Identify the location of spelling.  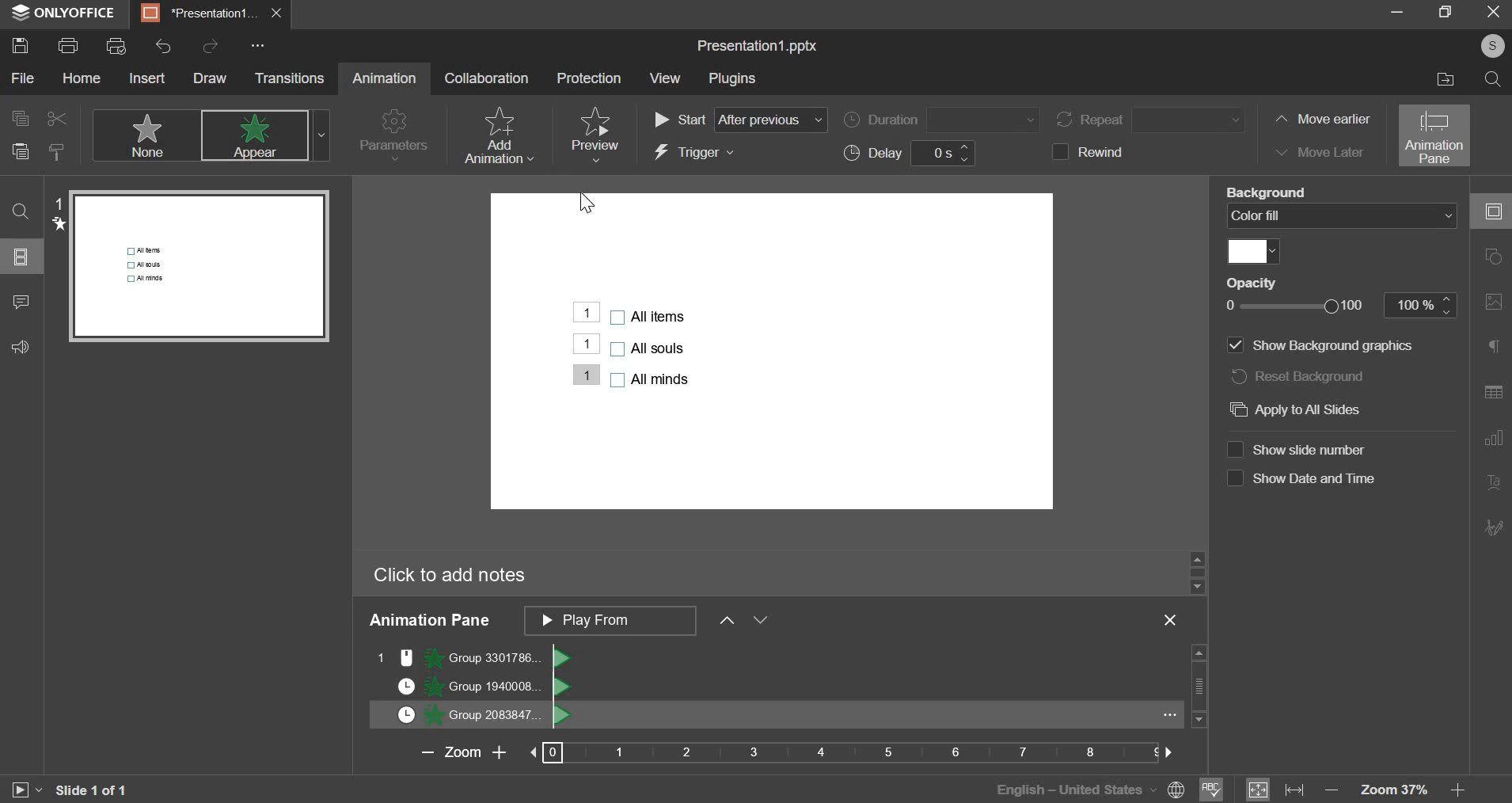
(1212, 787).